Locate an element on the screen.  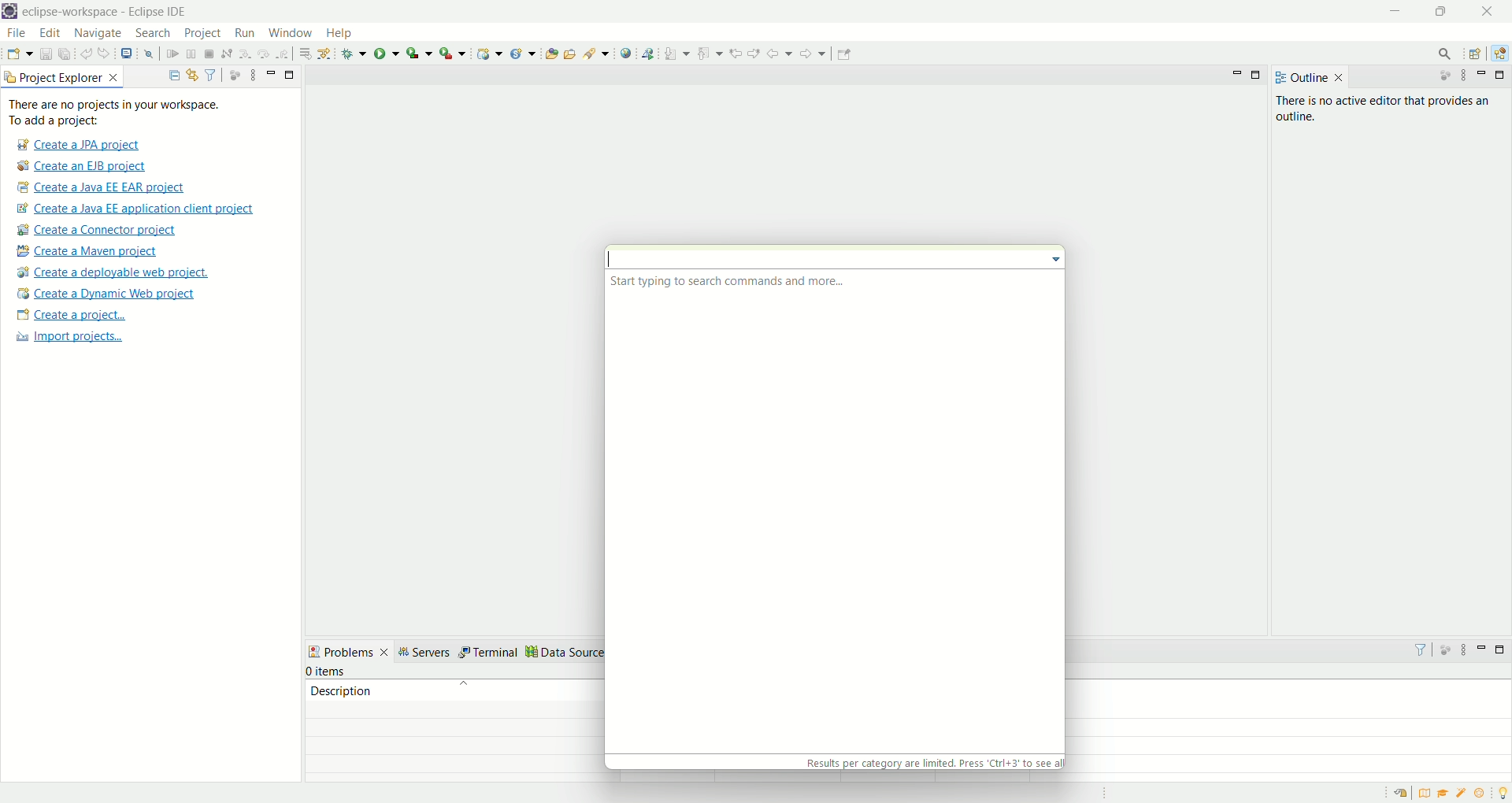
open type is located at coordinates (550, 54).